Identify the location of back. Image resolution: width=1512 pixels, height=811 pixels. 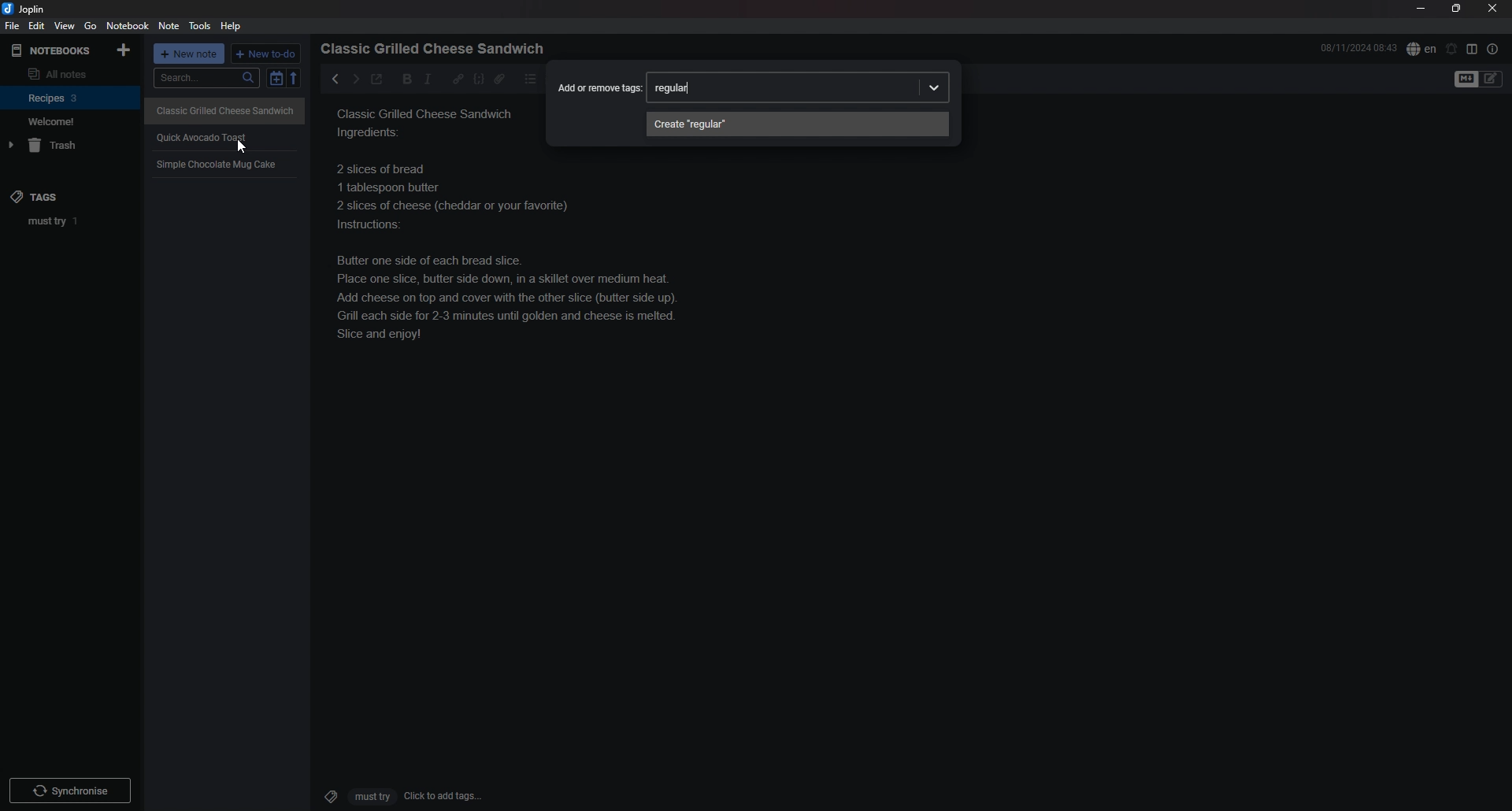
(332, 78).